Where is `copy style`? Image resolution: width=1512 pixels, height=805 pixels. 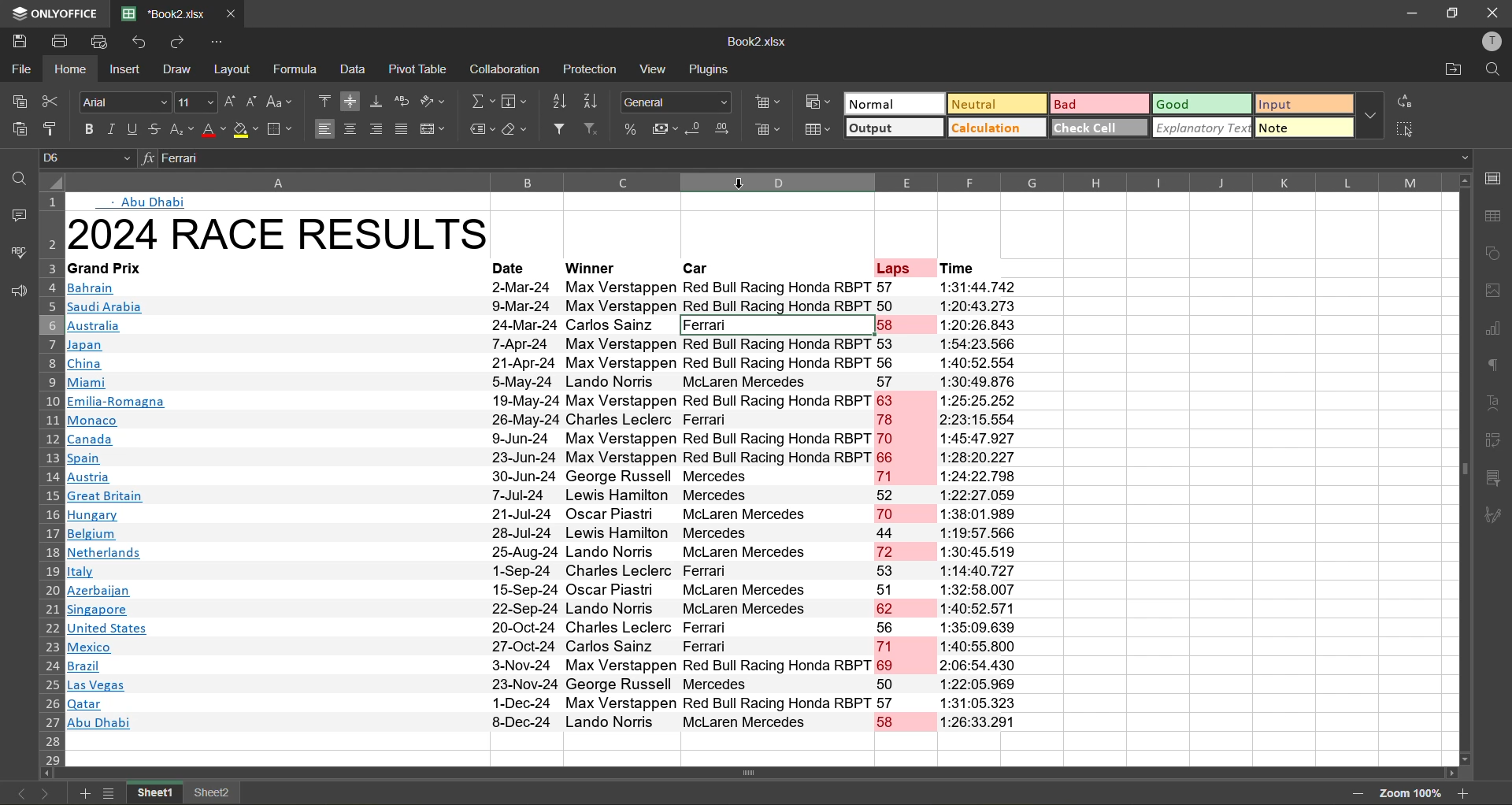 copy style is located at coordinates (53, 126).